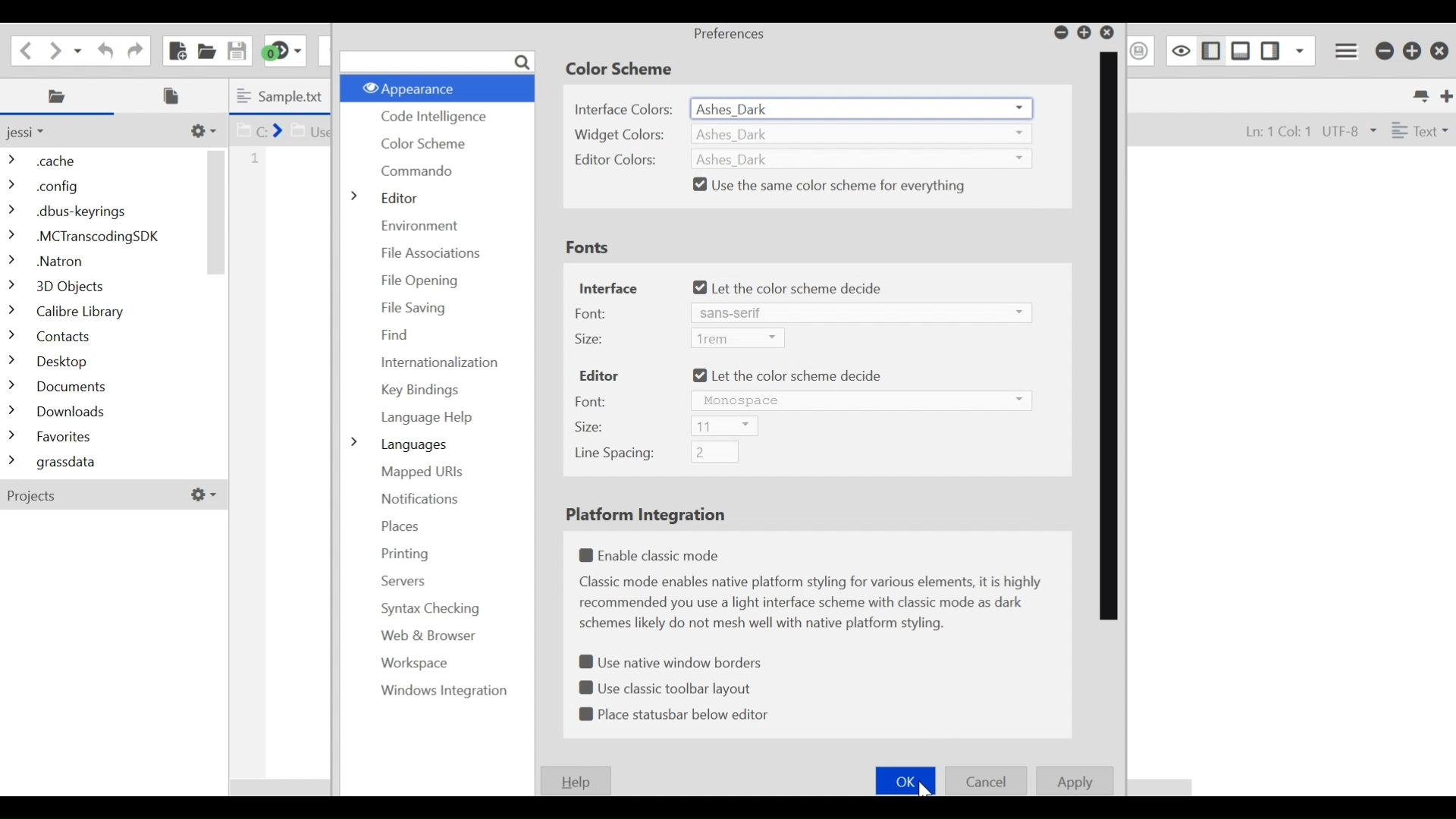 The height and width of the screenshot is (819, 1456). I want to click on (un)select Use Classic toolbar layout, so click(668, 686).